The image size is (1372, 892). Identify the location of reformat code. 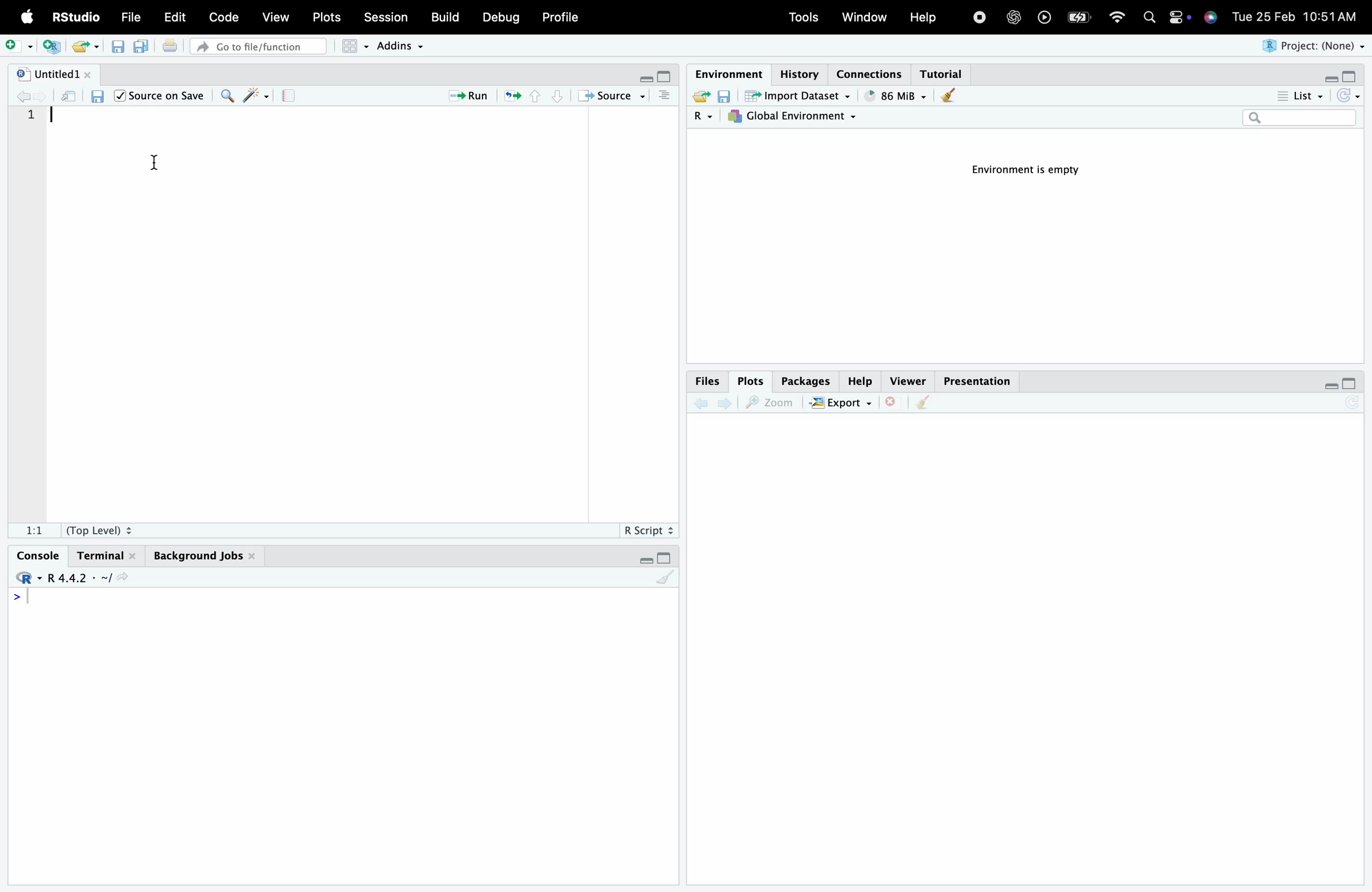
(255, 97).